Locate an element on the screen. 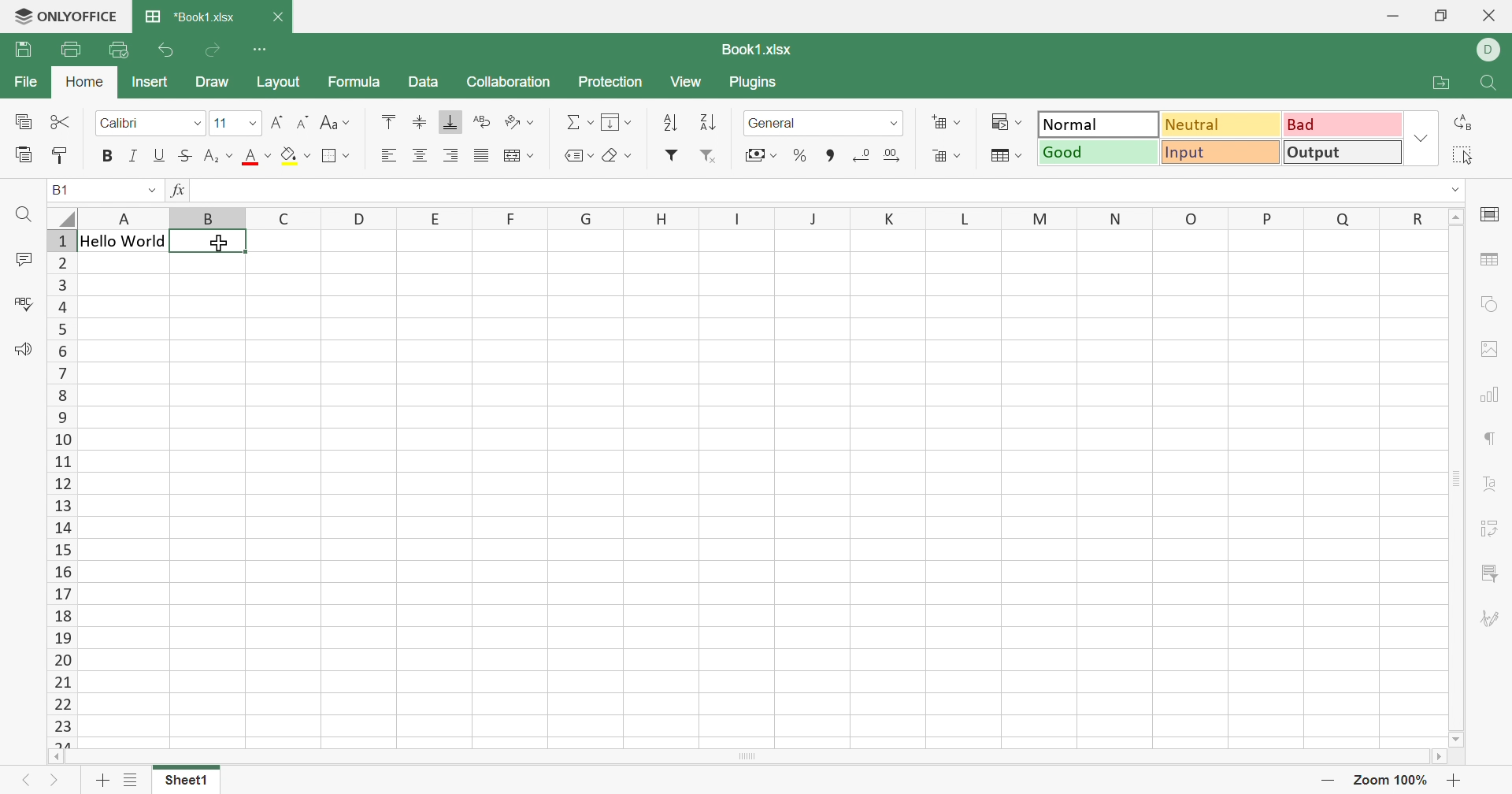 The image size is (1512, 794). Align top is located at coordinates (391, 121).